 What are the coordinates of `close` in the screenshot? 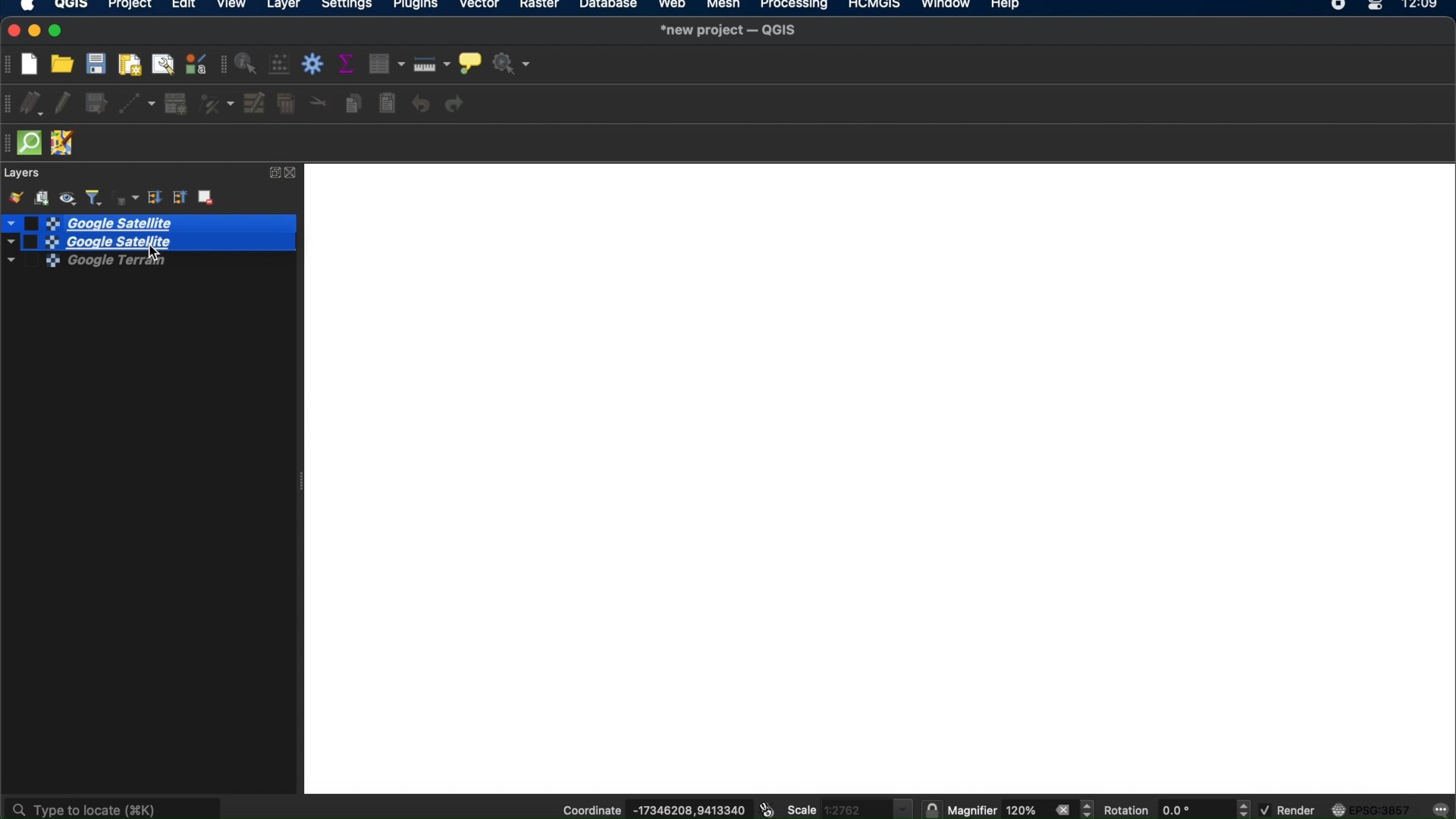 It's located at (294, 173).